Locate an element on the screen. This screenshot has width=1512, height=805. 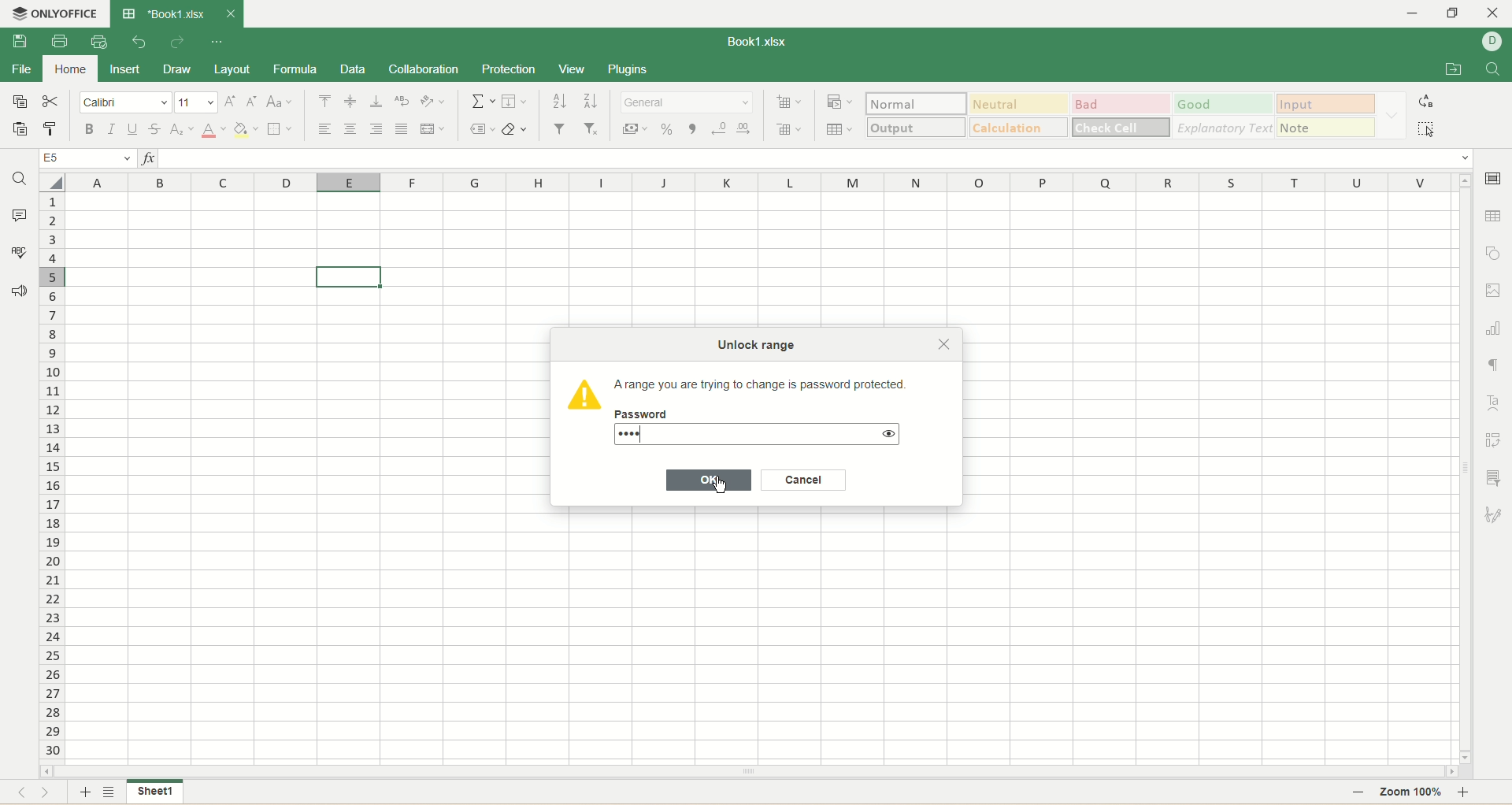
strikethrough is located at coordinates (156, 130).